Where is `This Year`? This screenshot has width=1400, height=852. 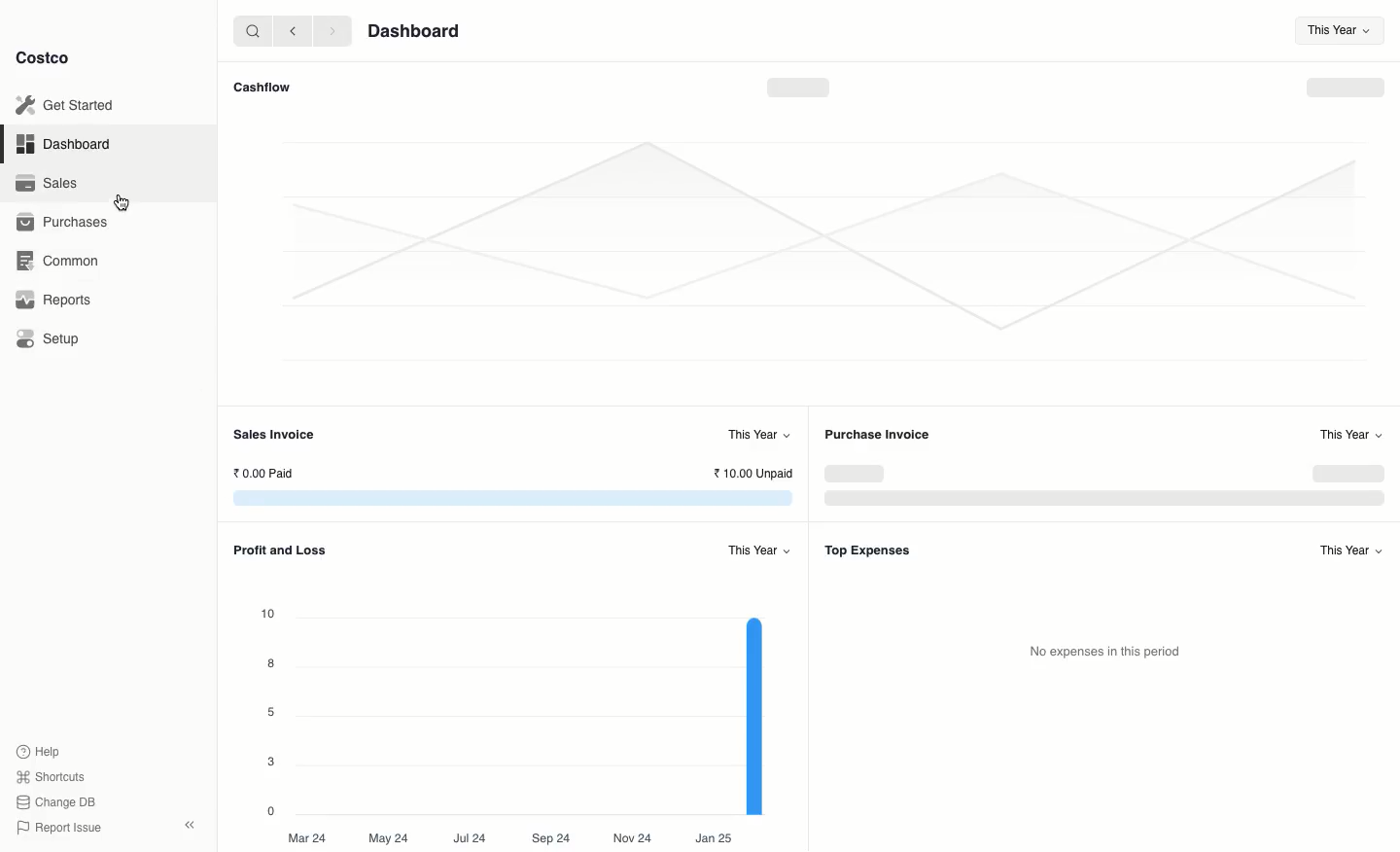
This Year is located at coordinates (756, 428).